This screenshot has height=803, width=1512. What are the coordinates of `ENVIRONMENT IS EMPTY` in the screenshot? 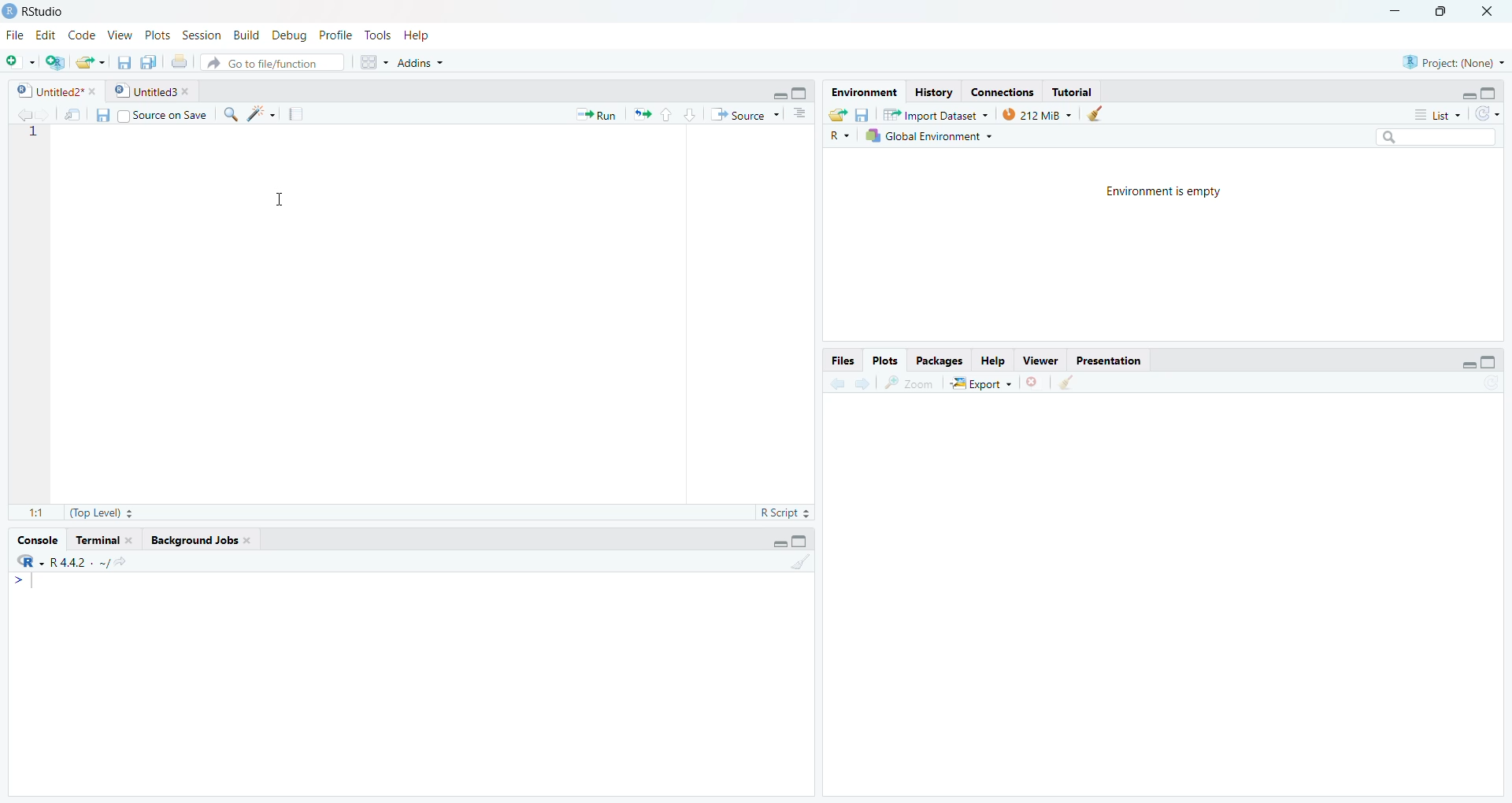 It's located at (1188, 198).